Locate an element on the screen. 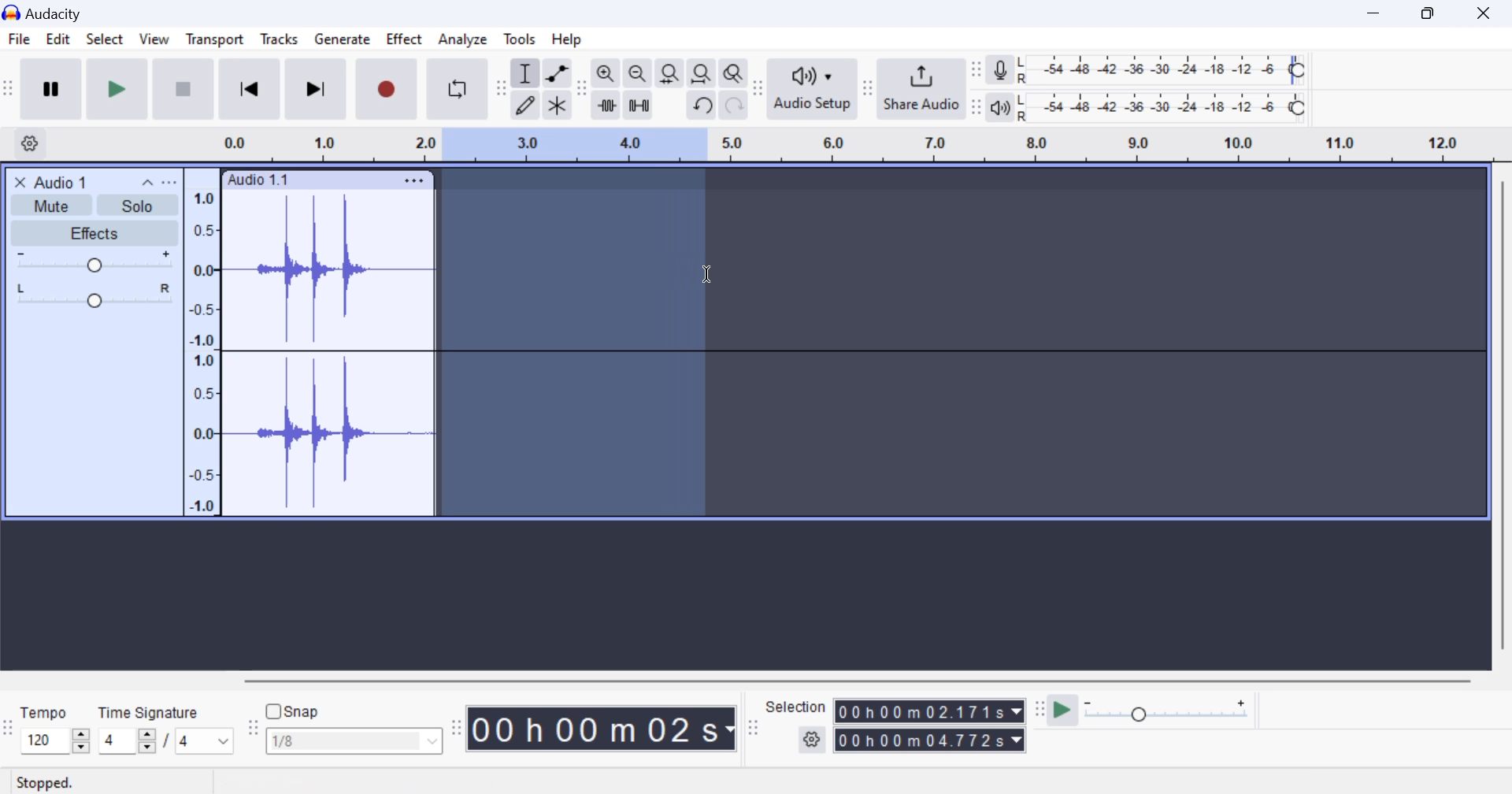 This screenshot has width=1512, height=794. Generate is located at coordinates (342, 40).